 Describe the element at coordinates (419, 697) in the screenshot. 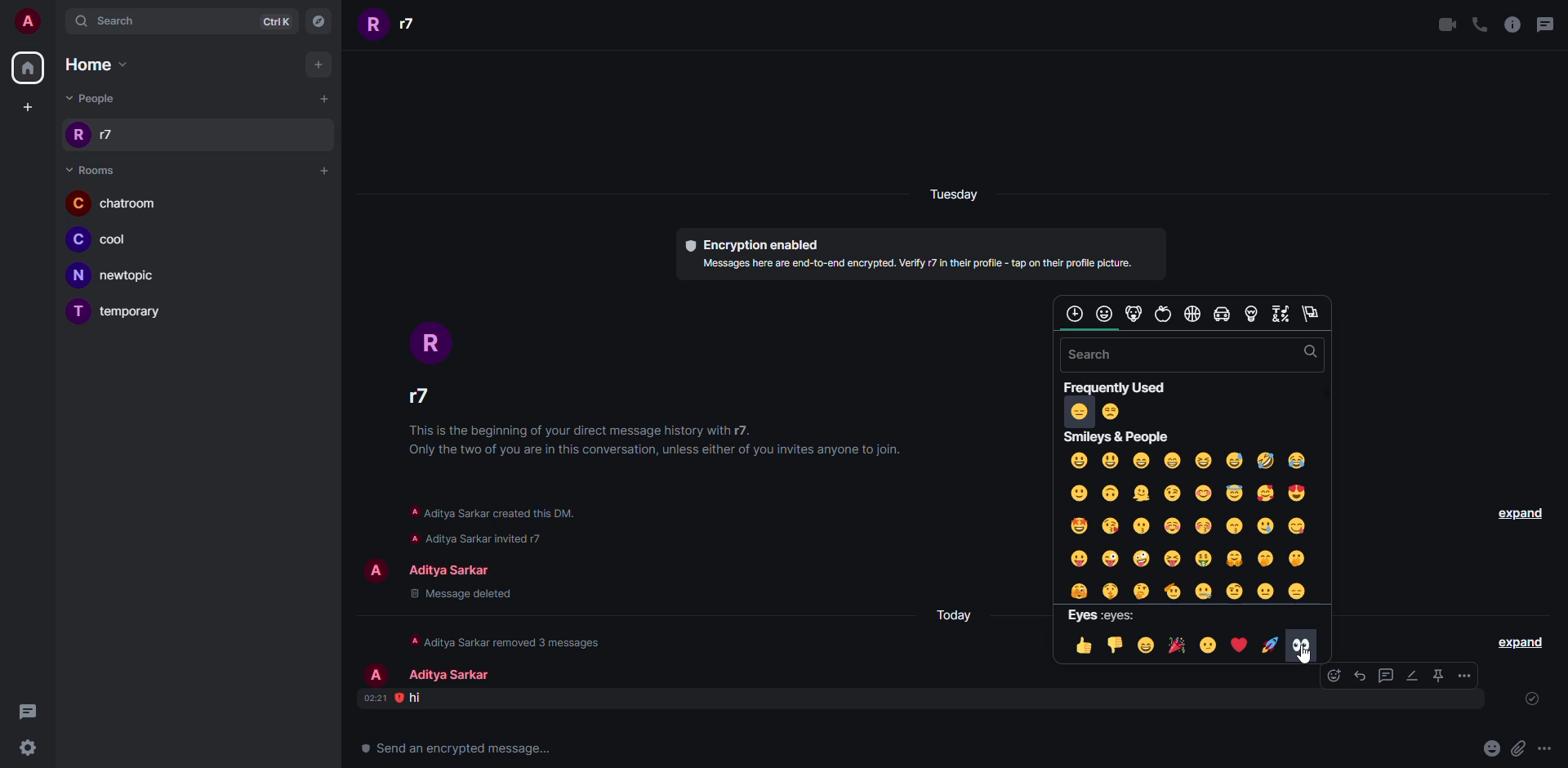

I see `message` at that location.